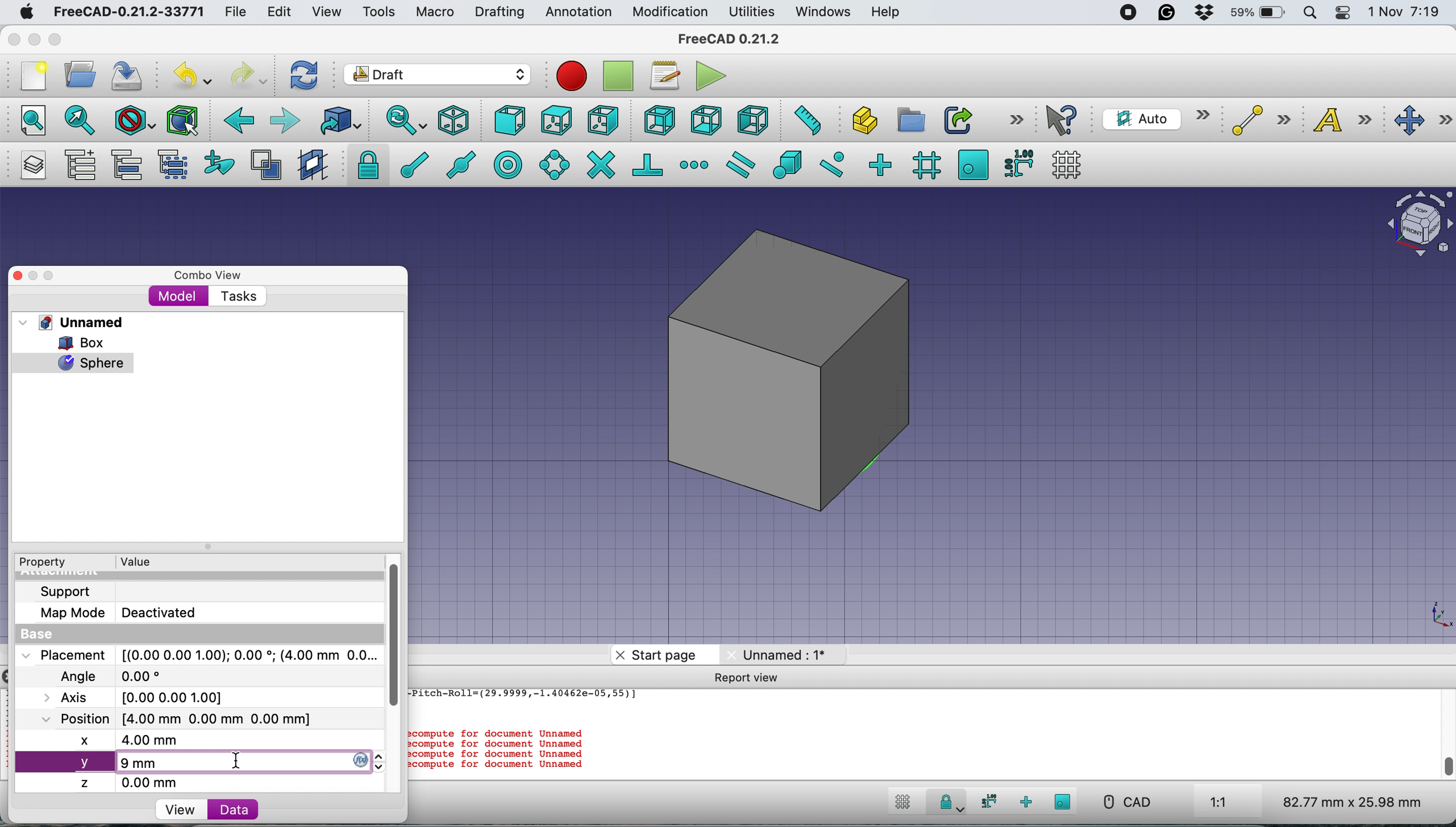  Describe the element at coordinates (1018, 162) in the screenshot. I see `snap dimensions` at that location.